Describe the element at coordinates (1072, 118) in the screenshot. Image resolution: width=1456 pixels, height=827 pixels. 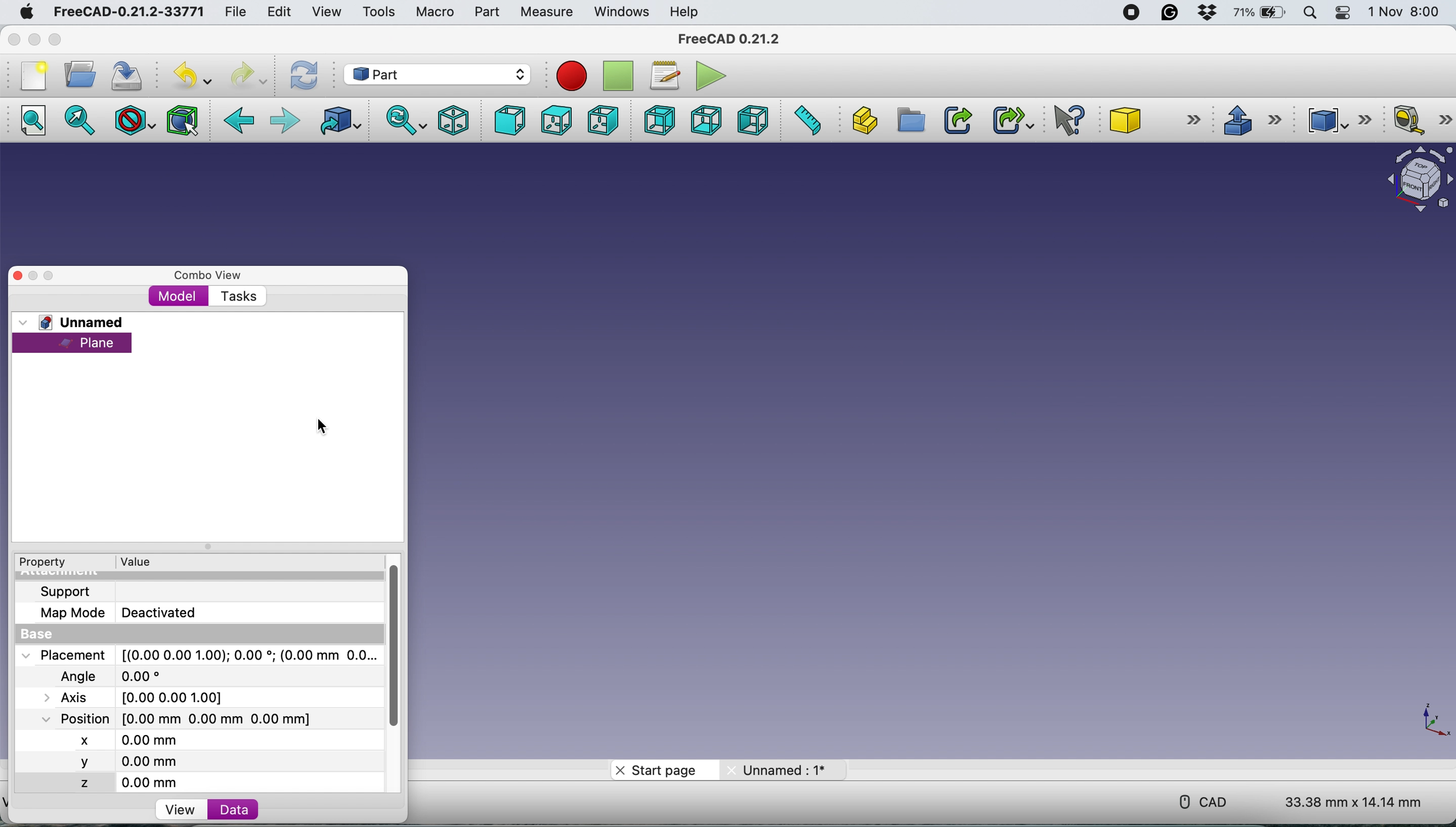
I see `what's this` at that location.